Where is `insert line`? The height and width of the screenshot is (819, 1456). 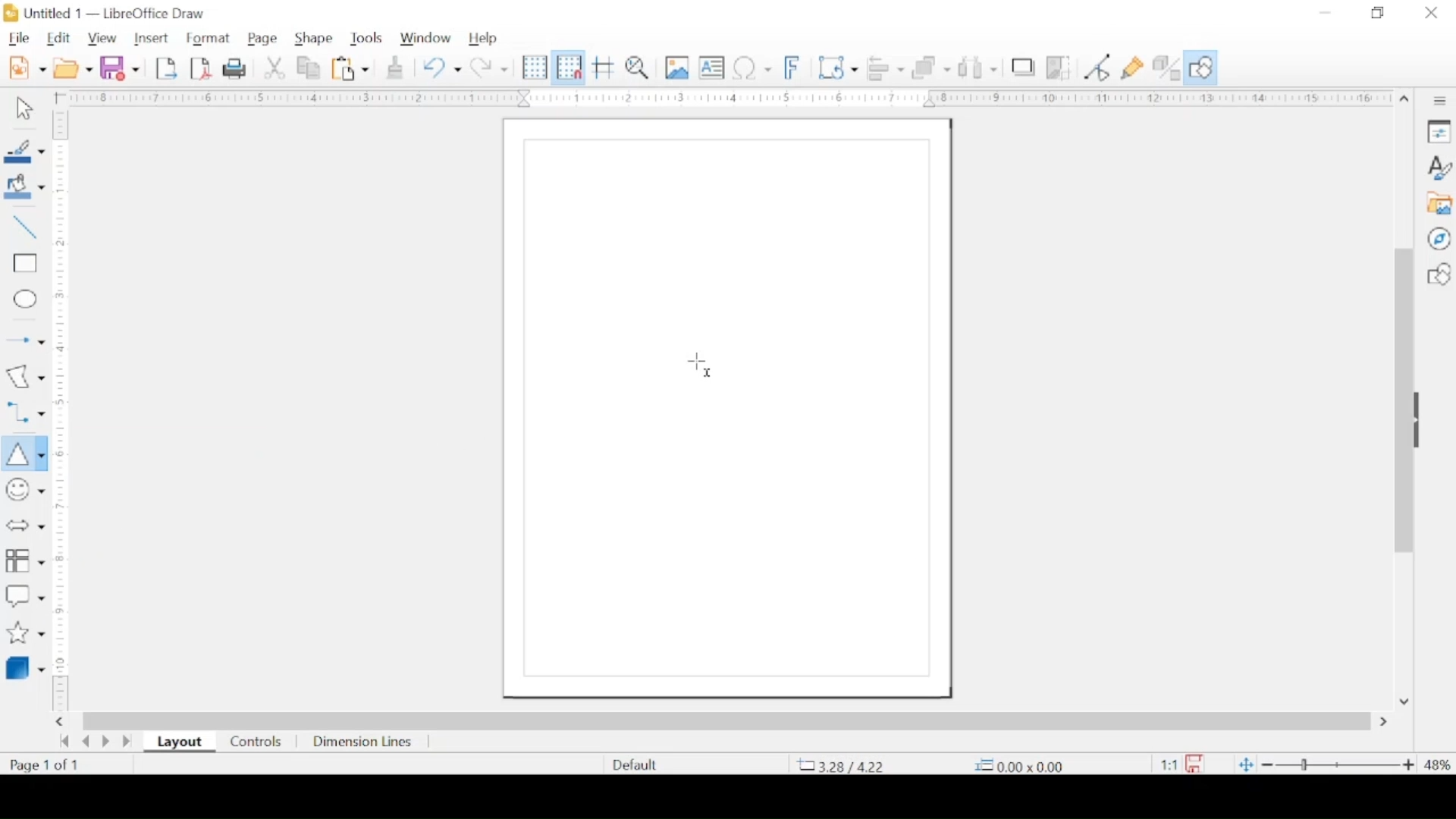 insert line is located at coordinates (24, 228).